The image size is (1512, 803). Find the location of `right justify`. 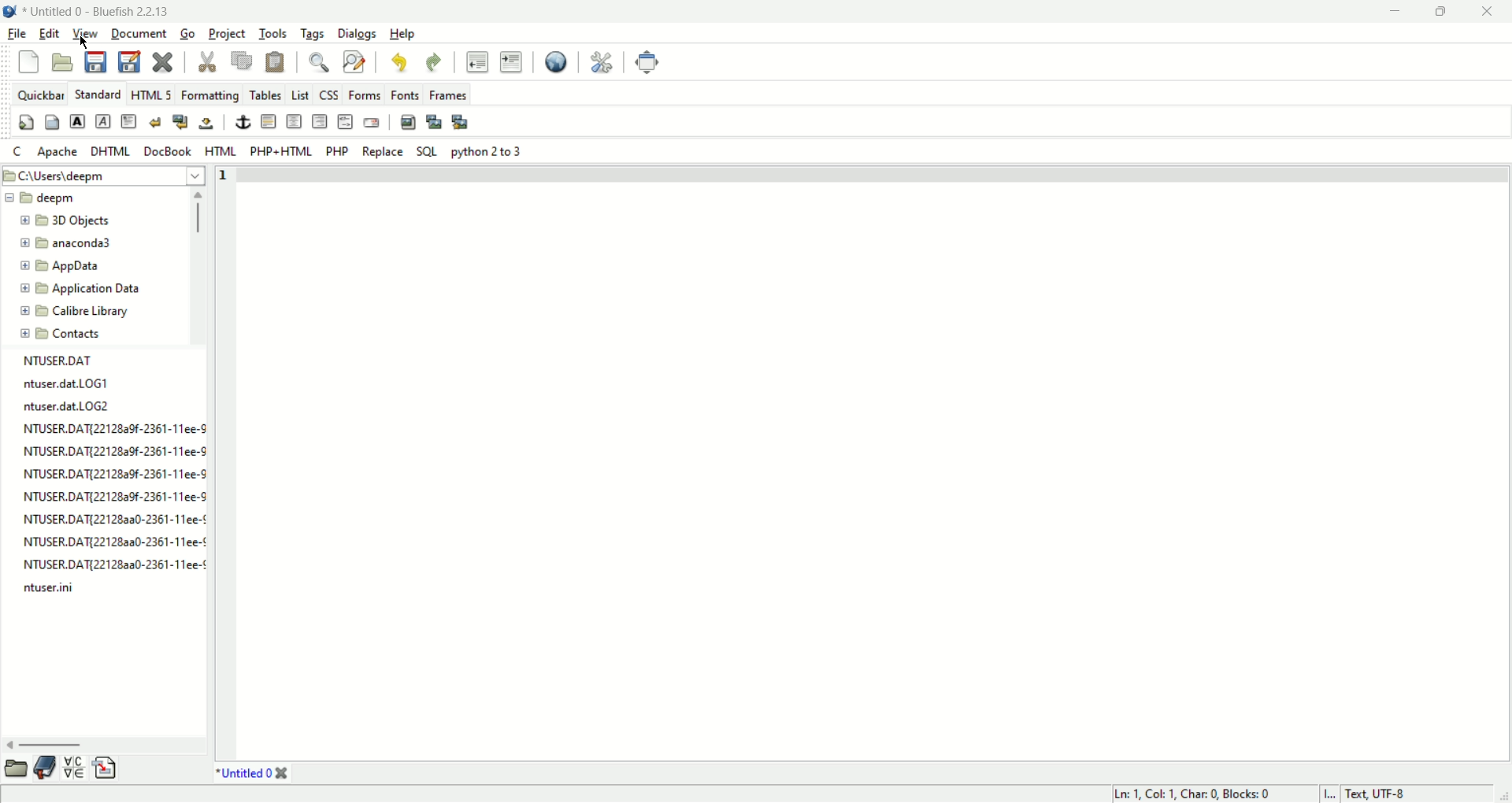

right justify is located at coordinates (318, 122).